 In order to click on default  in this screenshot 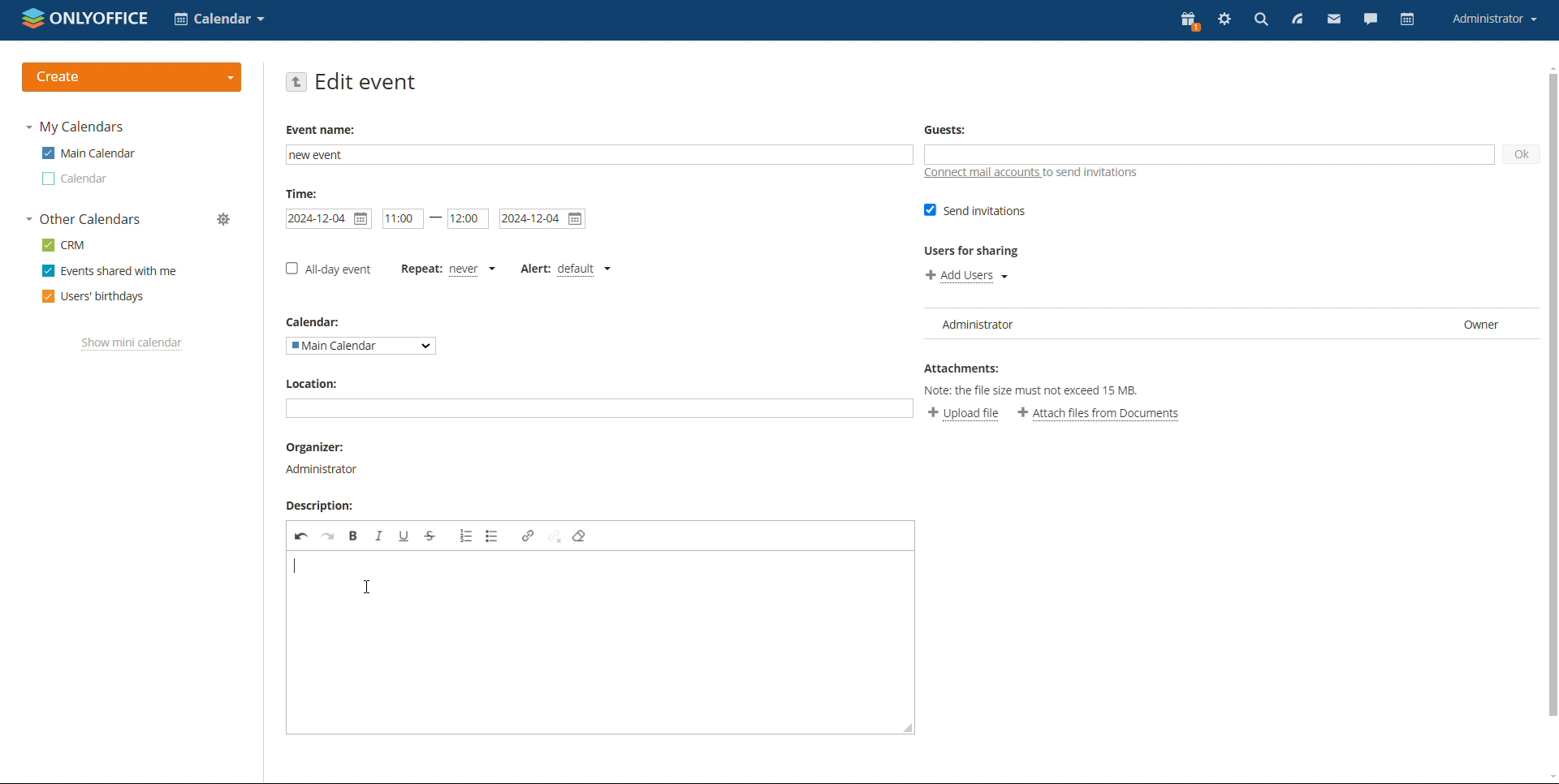, I will do `click(582, 266)`.